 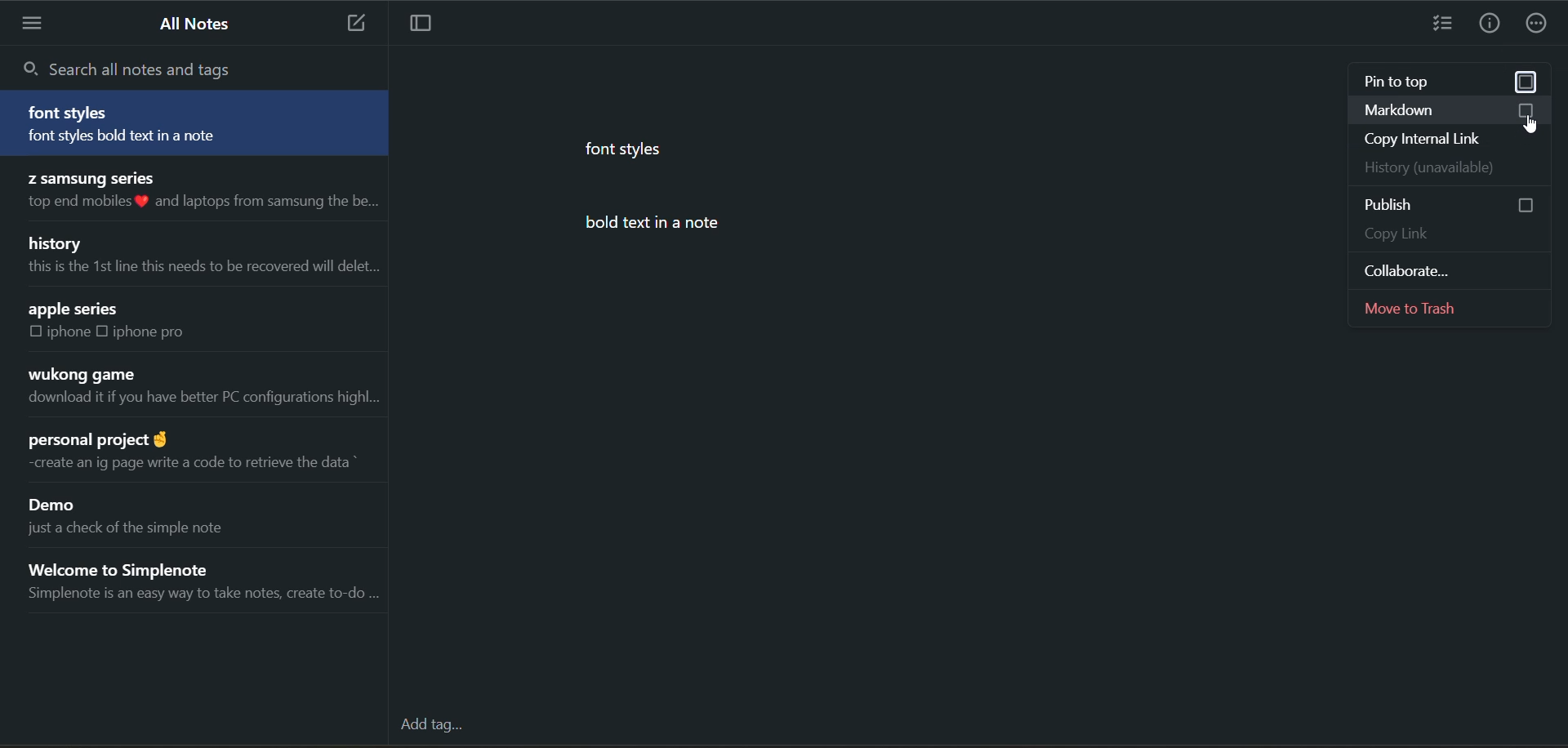 I want to click on collaborate, so click(x=1441, y=268).